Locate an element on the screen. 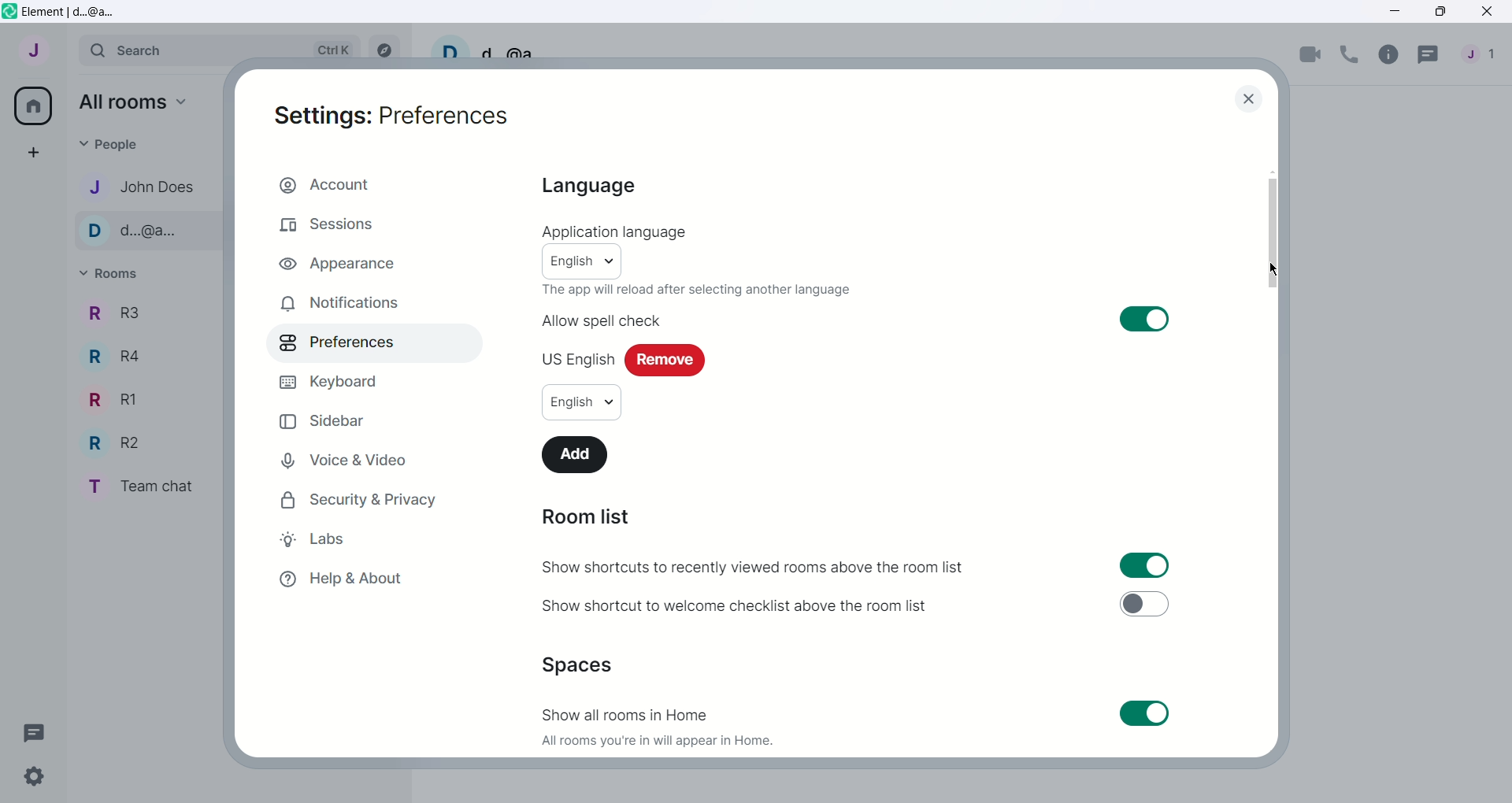 This screenshot has height=803, width=1512. Spaces is located at coordinates (577, 665).